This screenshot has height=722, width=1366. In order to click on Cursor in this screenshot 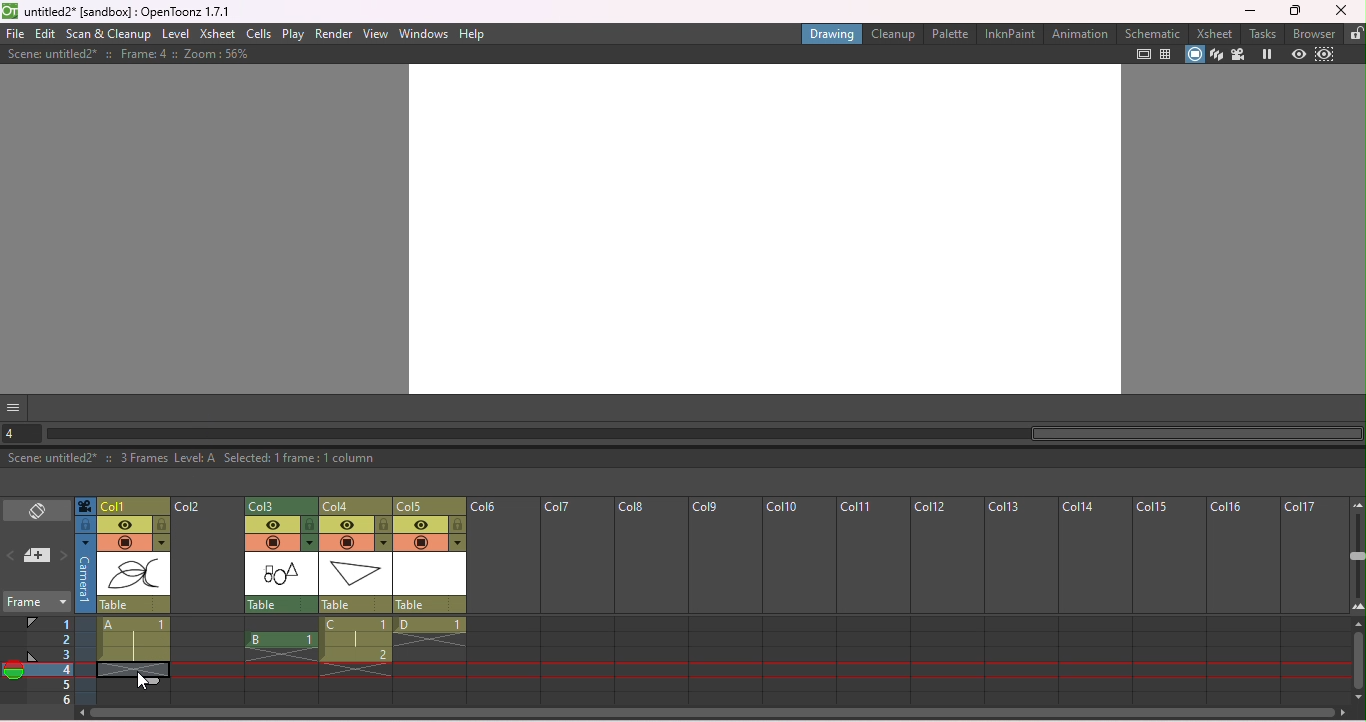, I will do `click(143, 681)`.